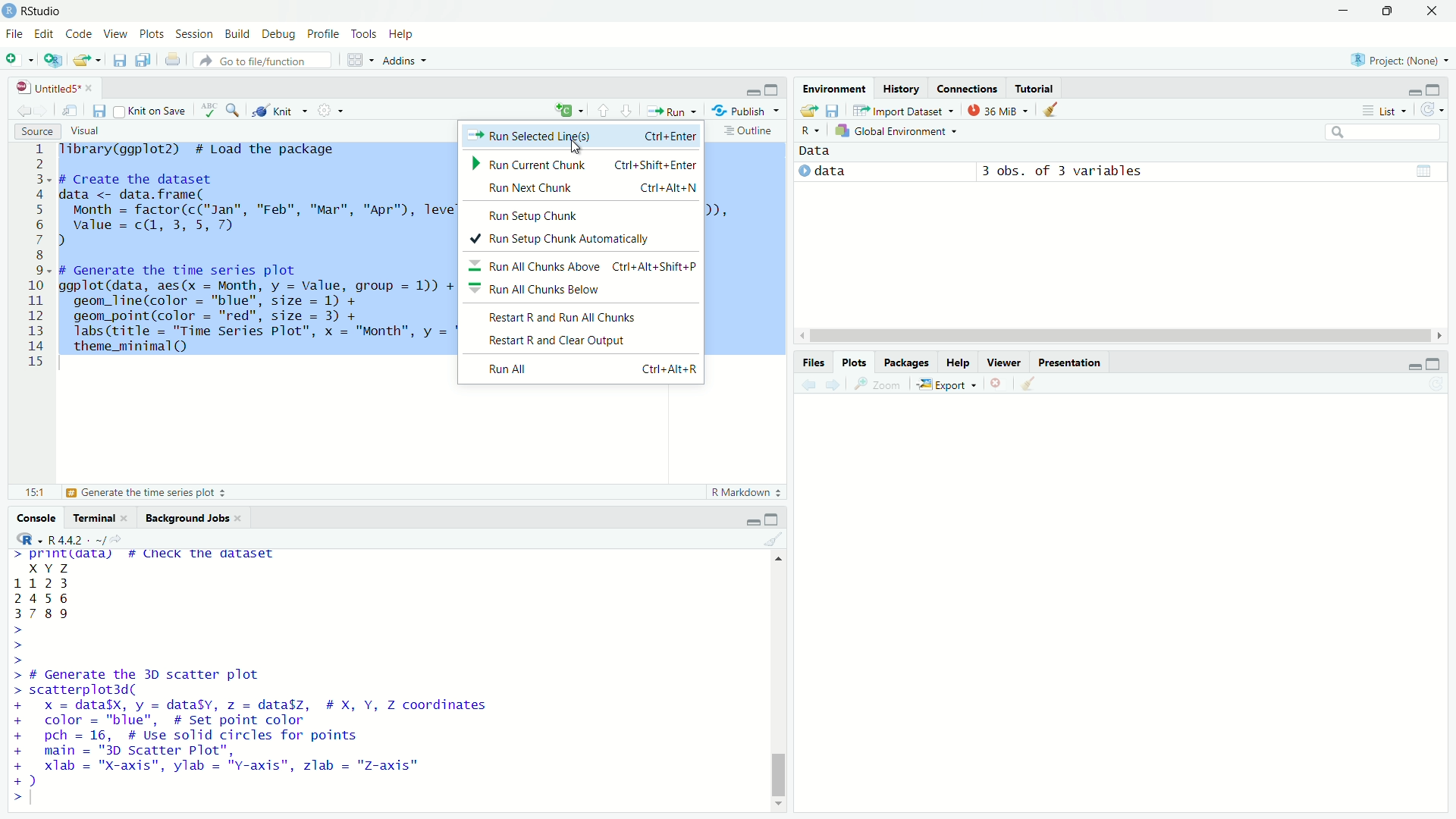 The width and height of the screenshot is (1456, 819). What do you see at coordinates (280, 34) in the screenshot?
I see `debug` at bounding box center [280, 34].